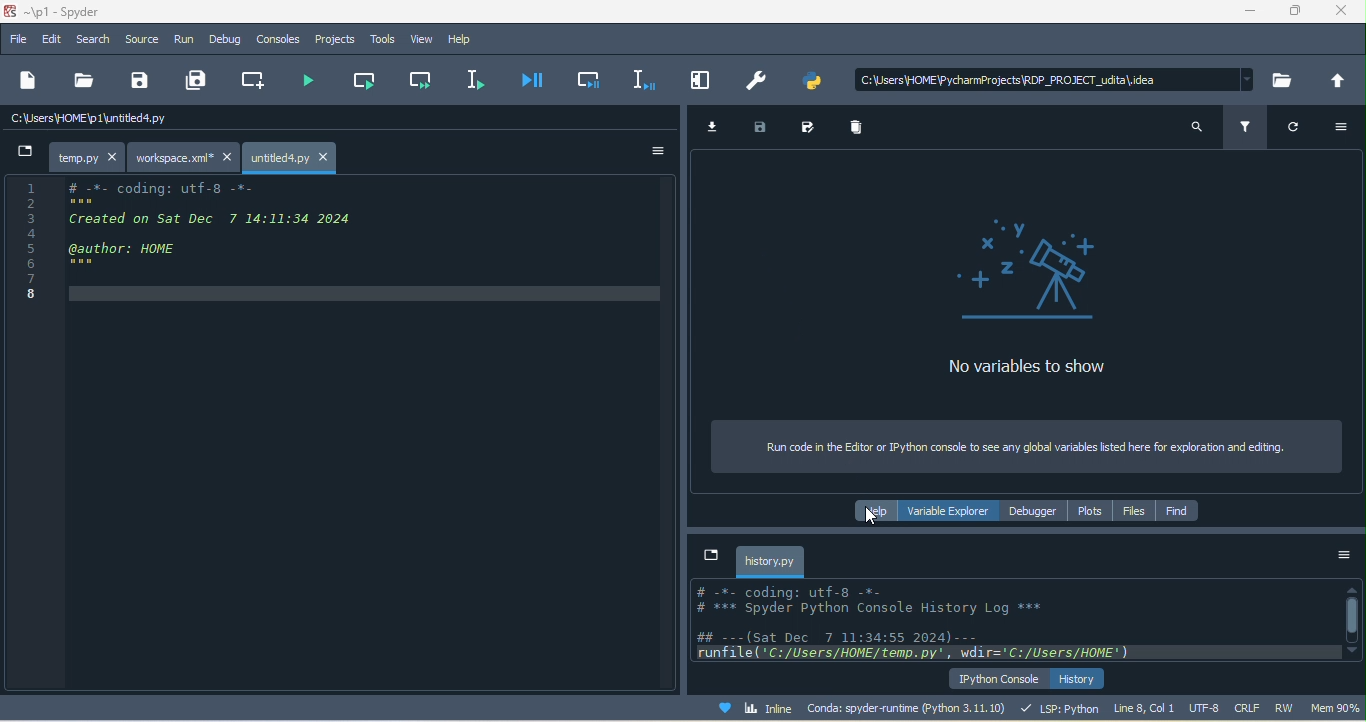 The height and width of the screenshot is (722, 1366). I want to click on vertical scroll bar, so click(1351, 620).